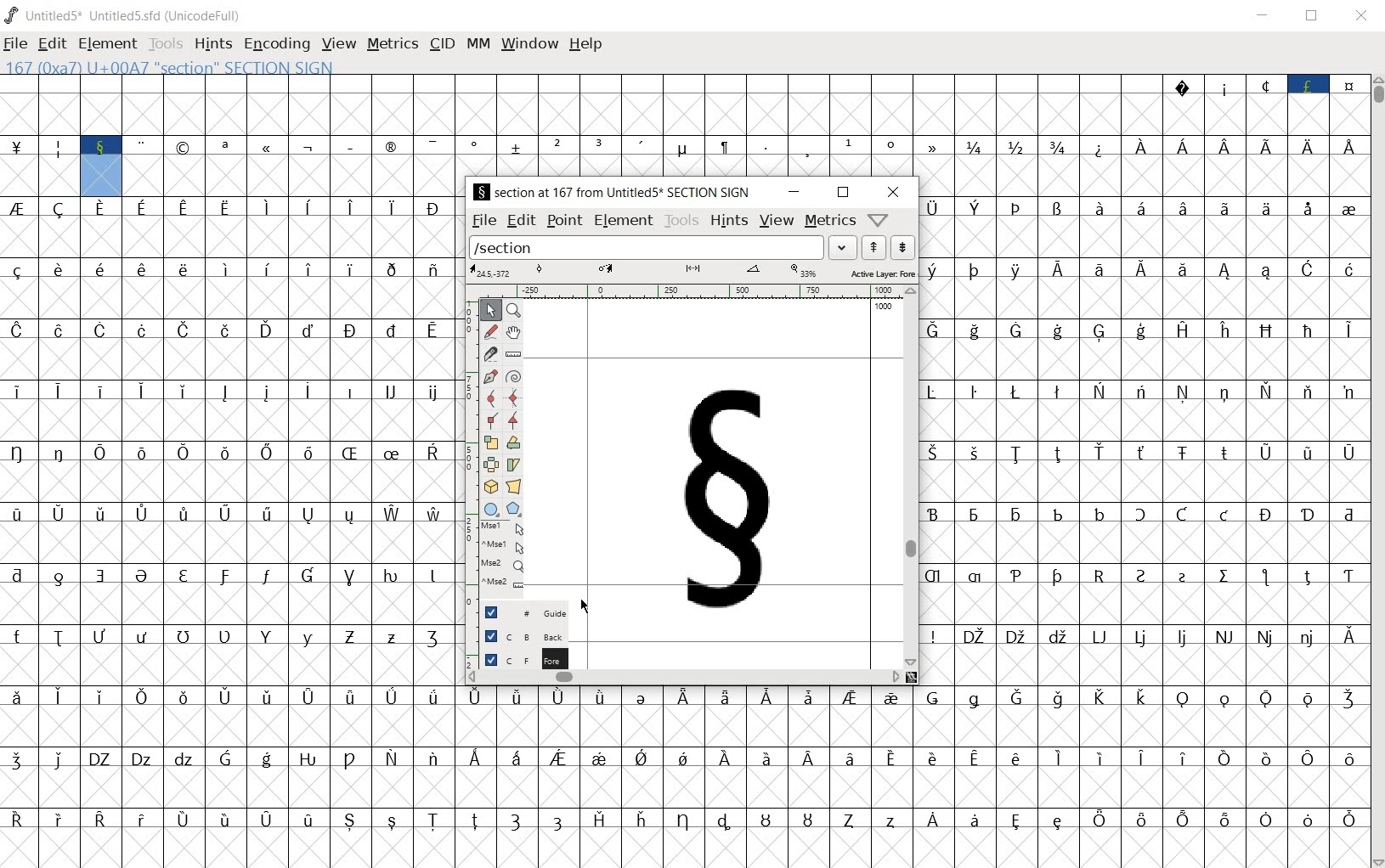  Describe the element at coordinates (513, 354) in the screenshot. I see `measure a distance, angle between points` at that location.